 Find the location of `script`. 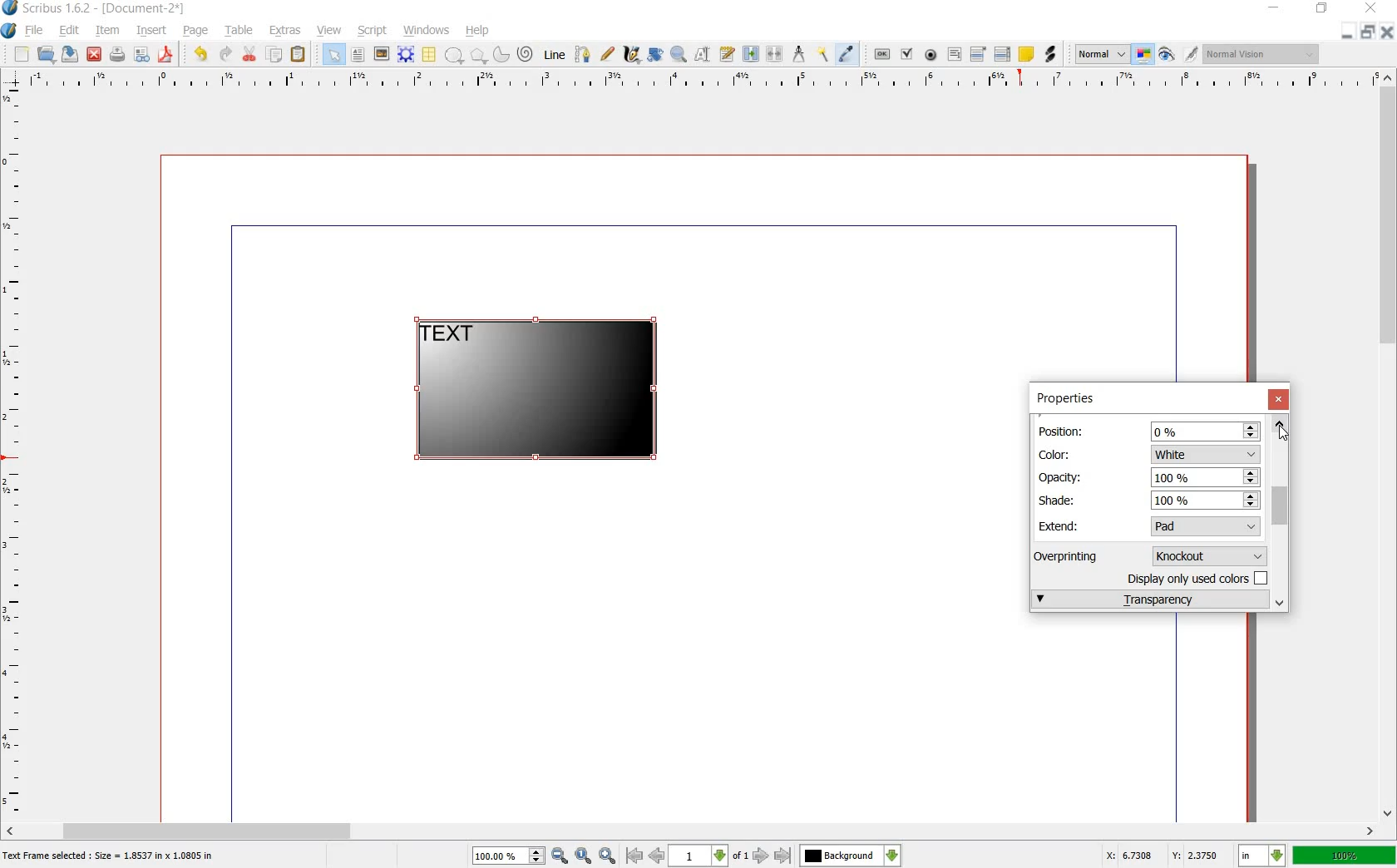

script is located at coordinates (373, 31).